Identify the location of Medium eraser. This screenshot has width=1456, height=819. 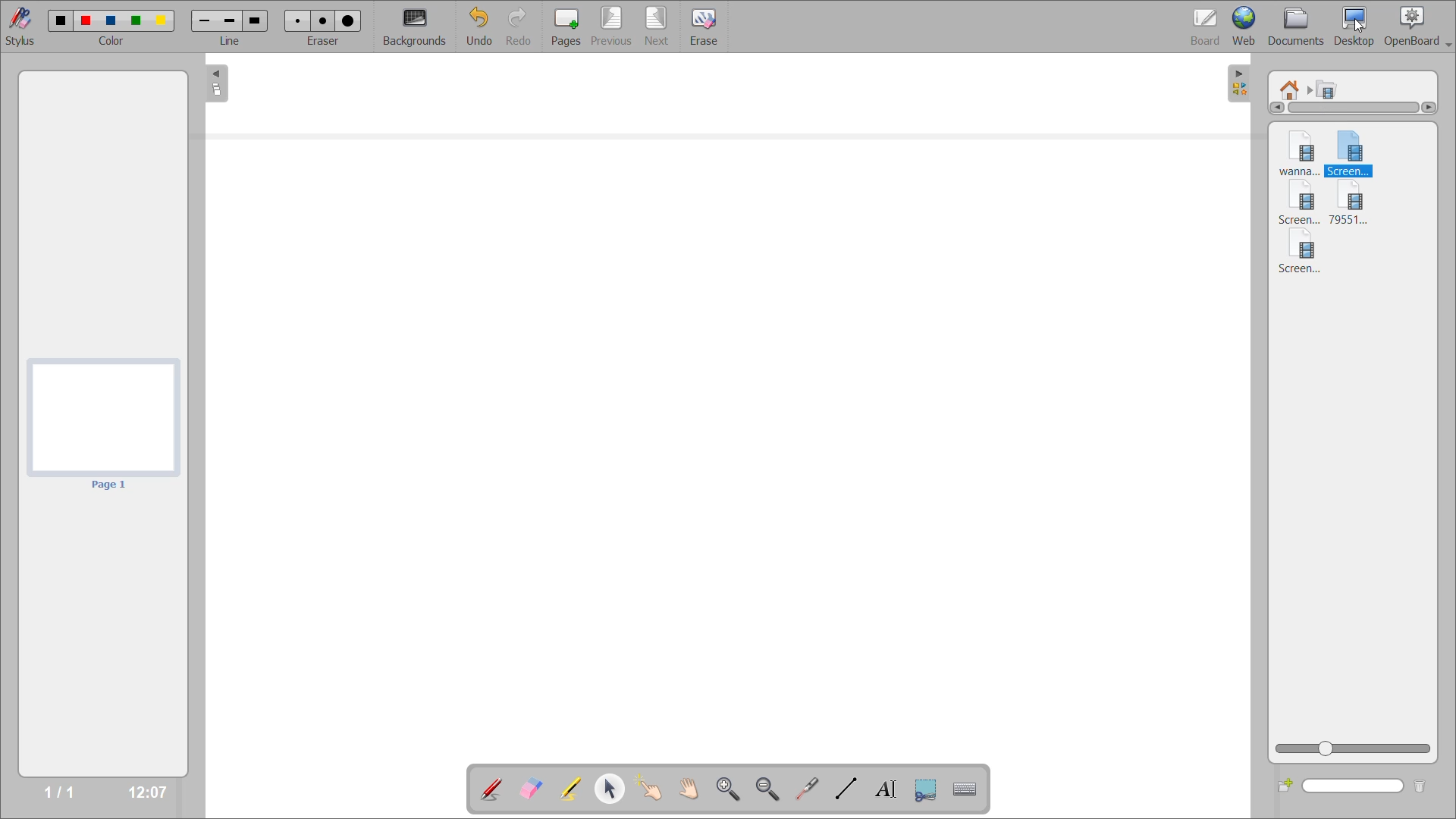
(322, 20).